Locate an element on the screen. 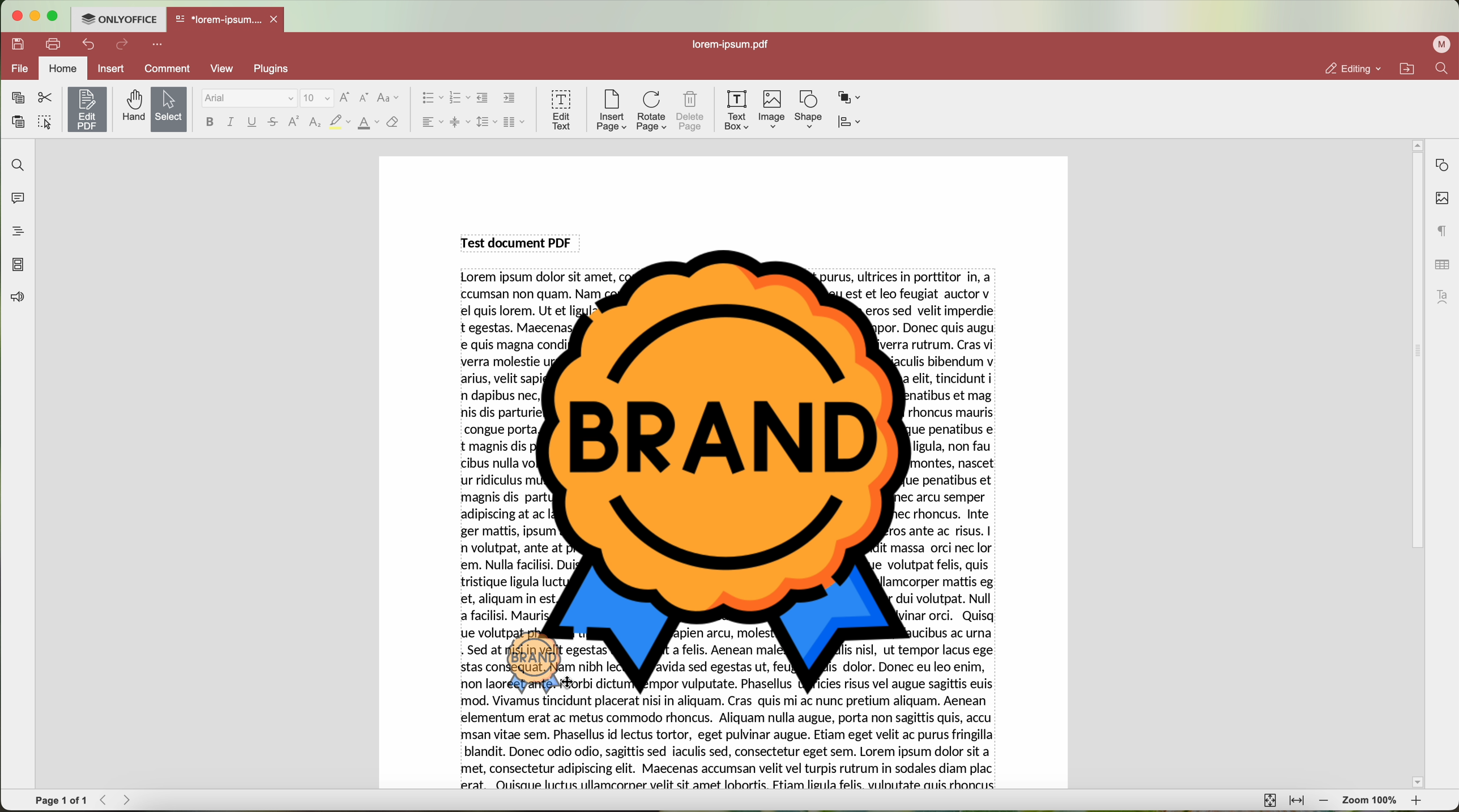 Image resolution: width=1459 pixels, height=812 pixels. click on edit PDF is located at coordinates (88, 111).